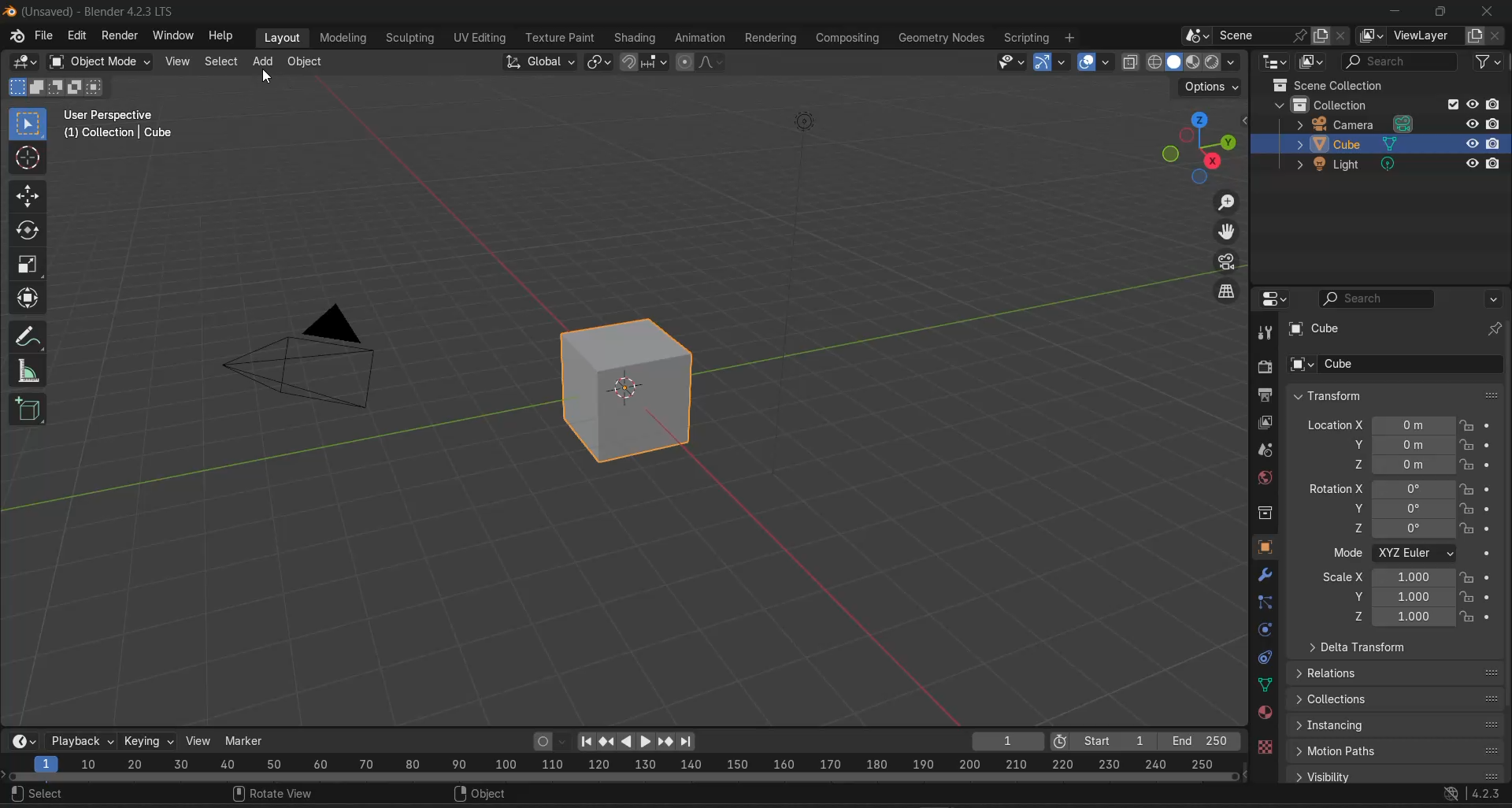  Describe the element at coordinates (1490, 577) in the screenshot. I see `animate property` at that location.